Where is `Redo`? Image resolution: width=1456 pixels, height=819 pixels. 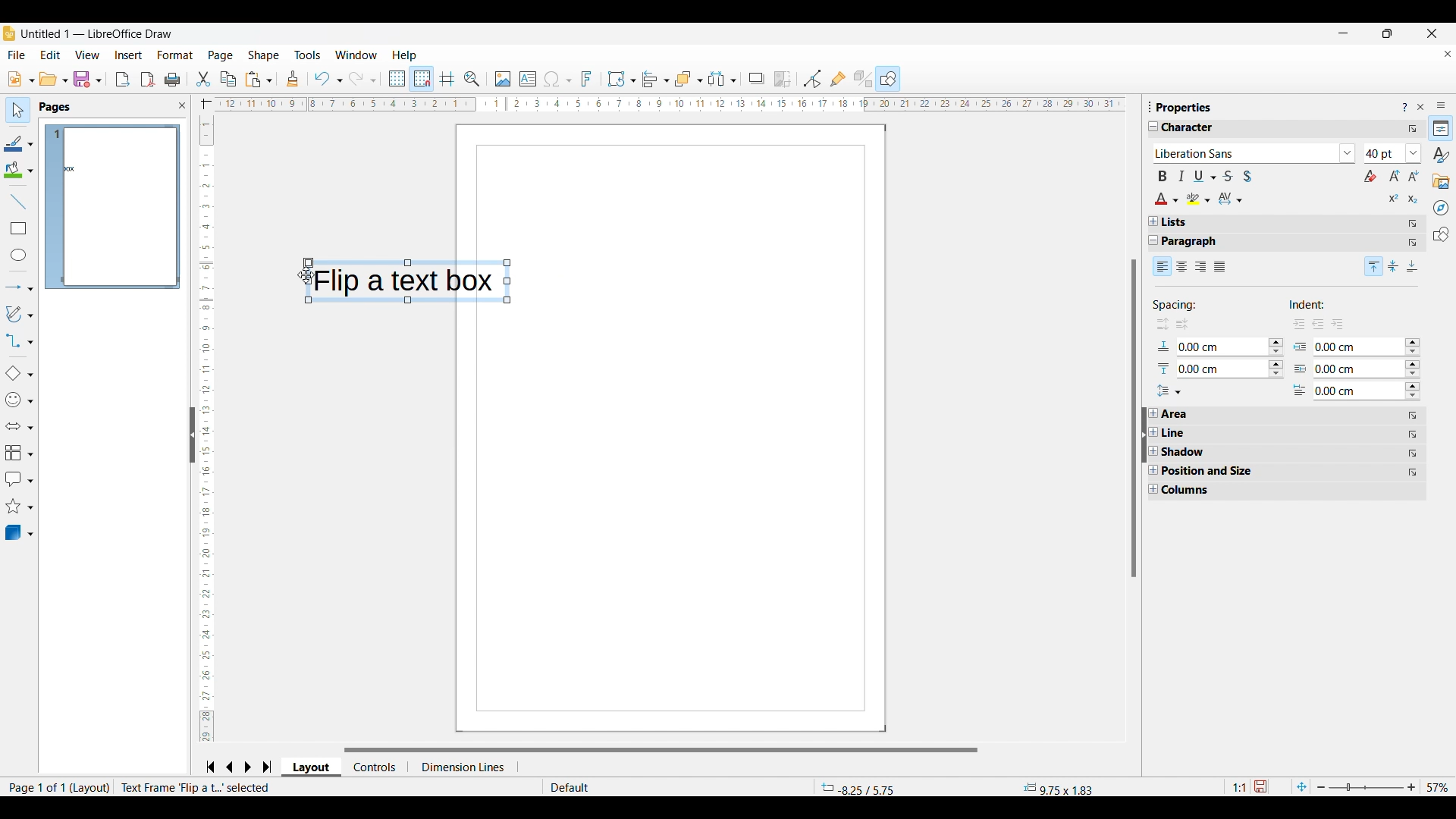
Redo is located at coordinates (363, 79).